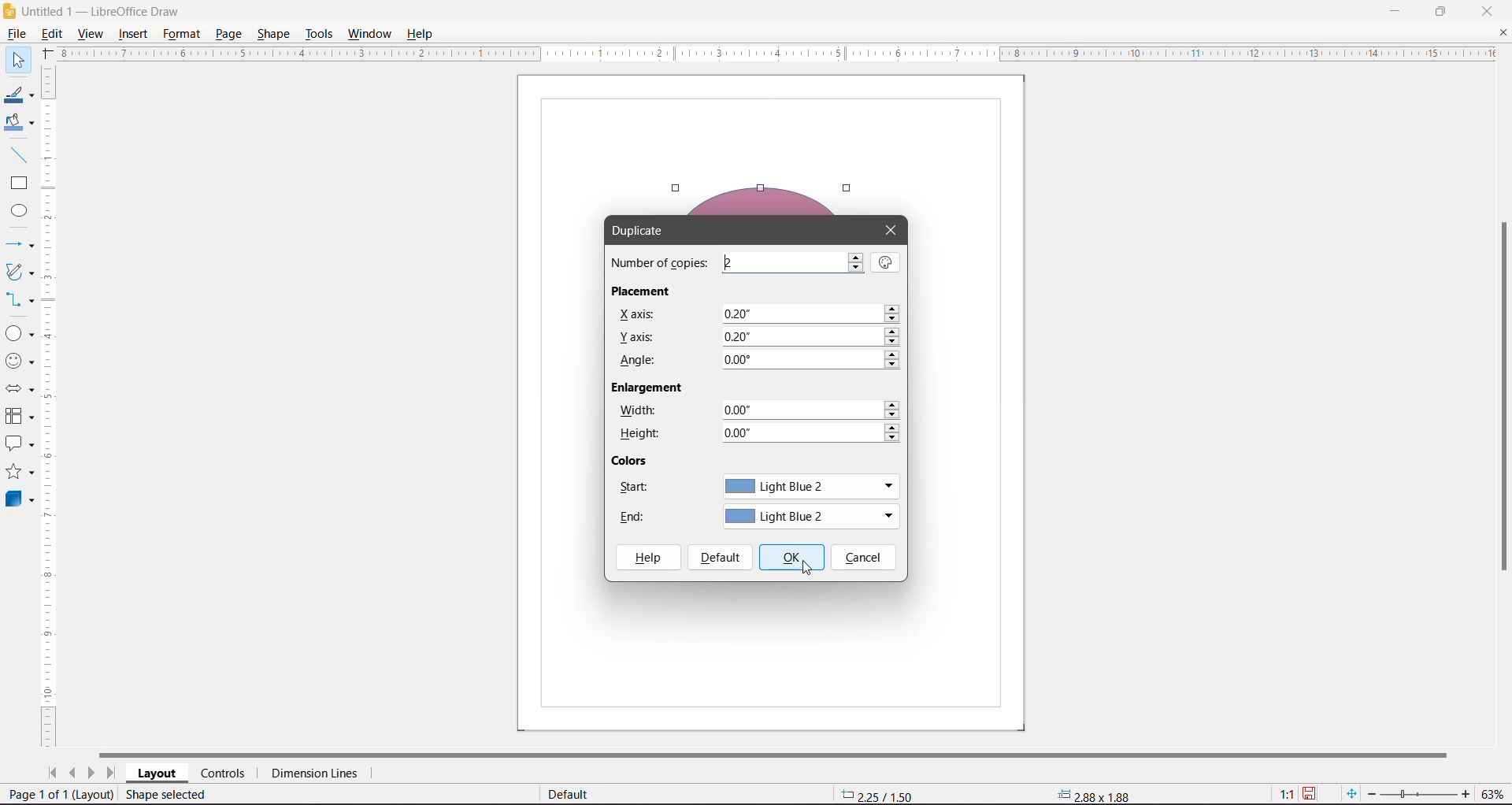 The width and height of the screenshot is (1512, 805). I want to click on Lines and Arrows, so click(20, 244).